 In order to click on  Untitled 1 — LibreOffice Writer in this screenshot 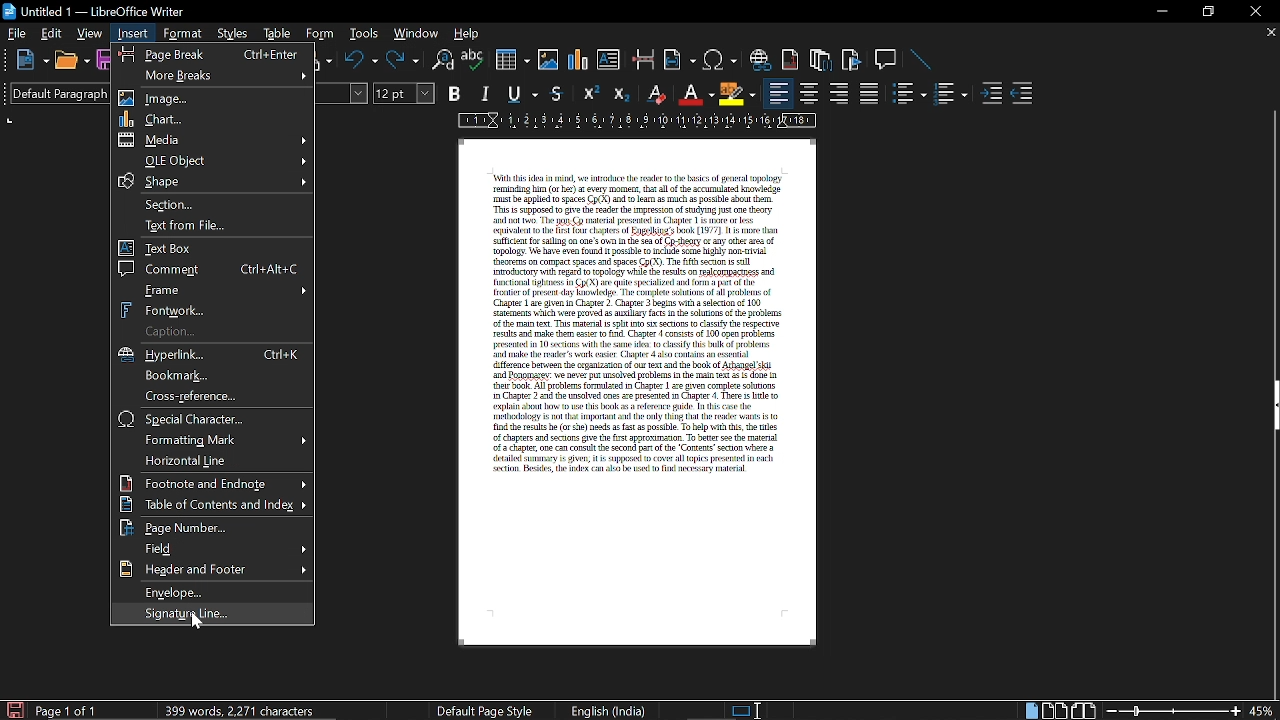, I will do `click(94, 10)`.